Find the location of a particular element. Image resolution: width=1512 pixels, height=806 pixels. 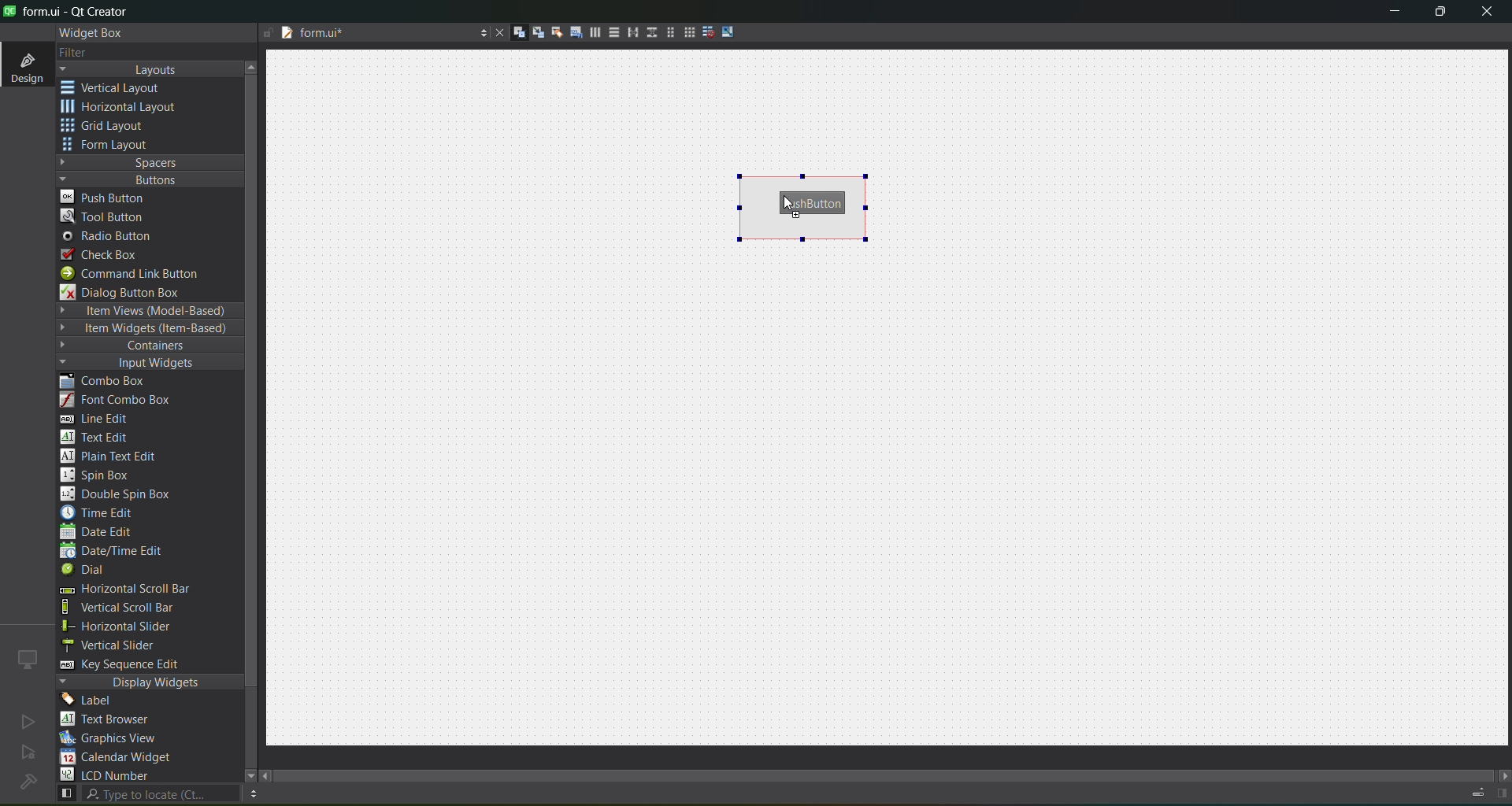

plain text edit is located at coordinates (115, 457).